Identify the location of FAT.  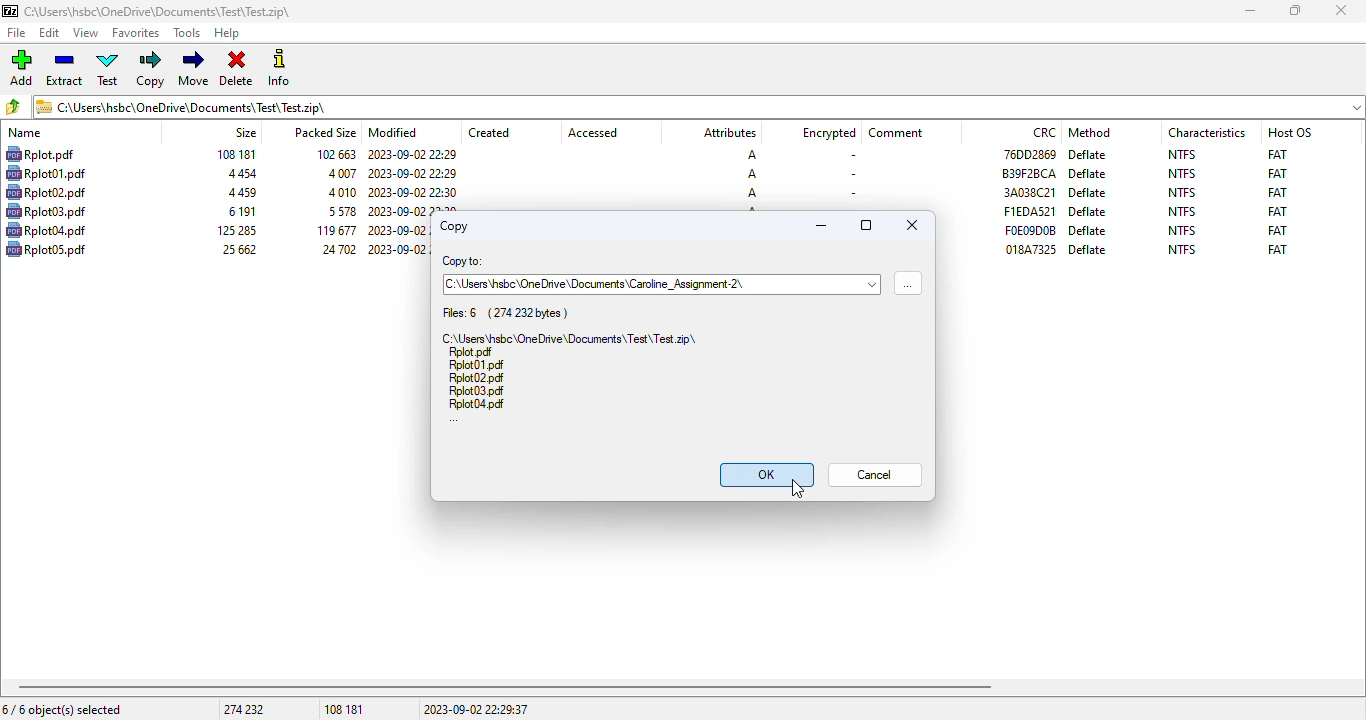
(1277, 153).